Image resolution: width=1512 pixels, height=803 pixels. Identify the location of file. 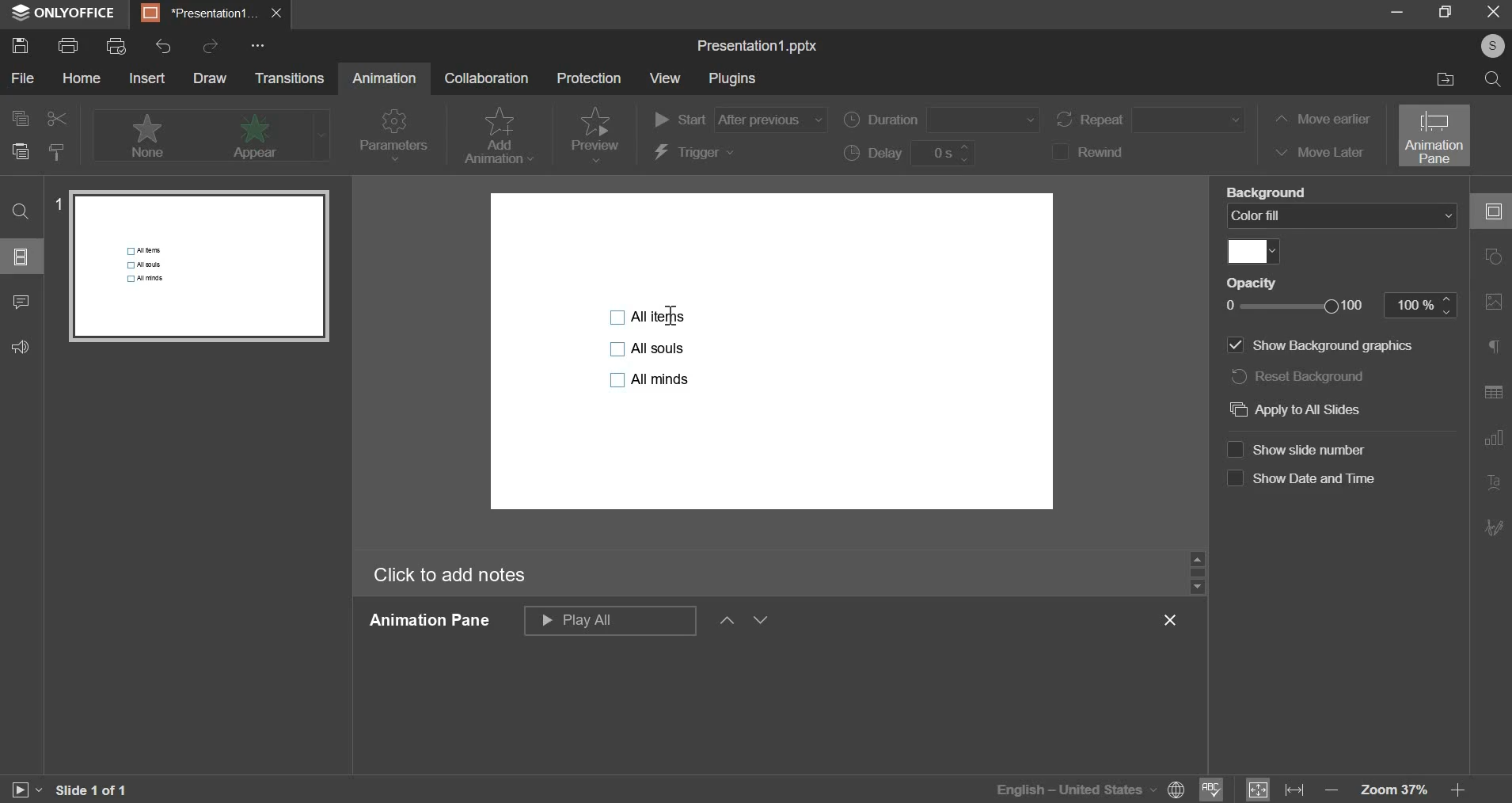
(24, 78).